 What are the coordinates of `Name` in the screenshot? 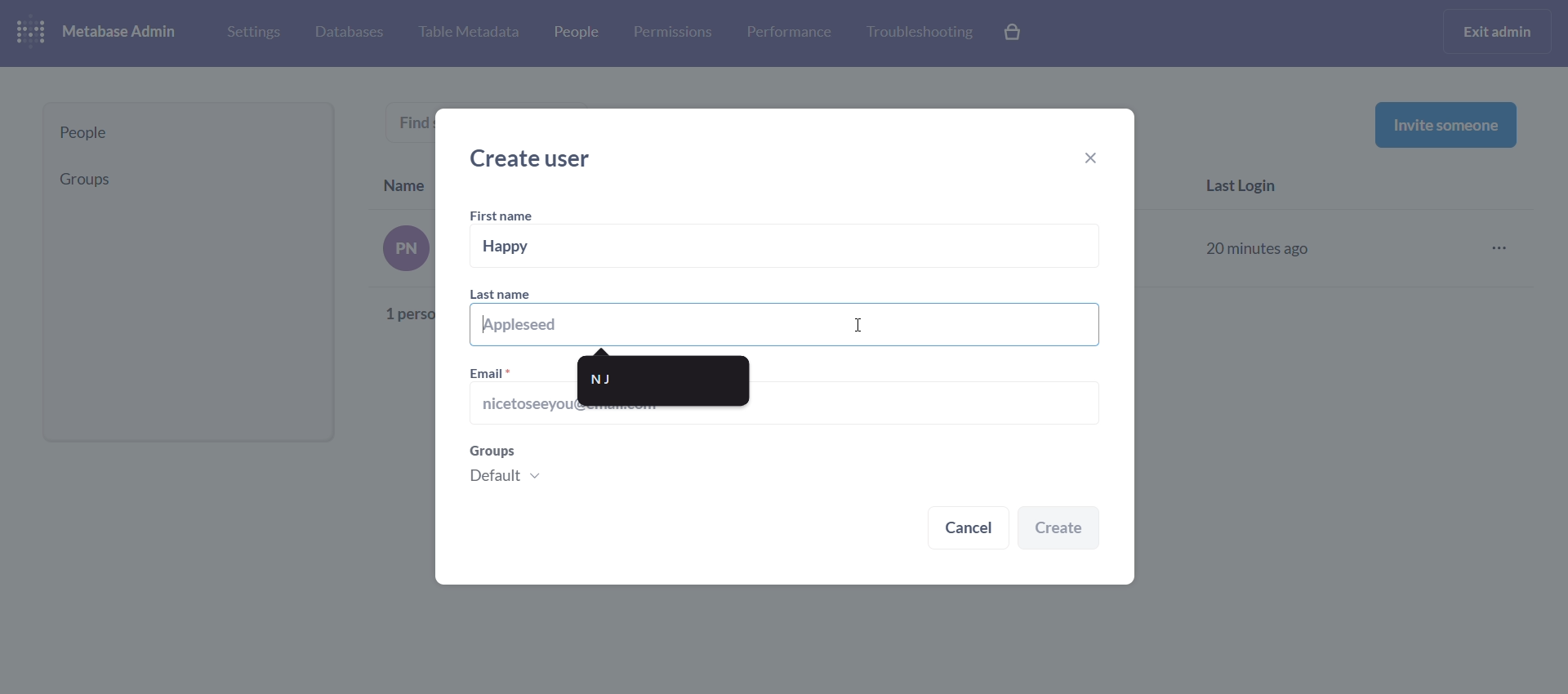 It's located at (405, 182).